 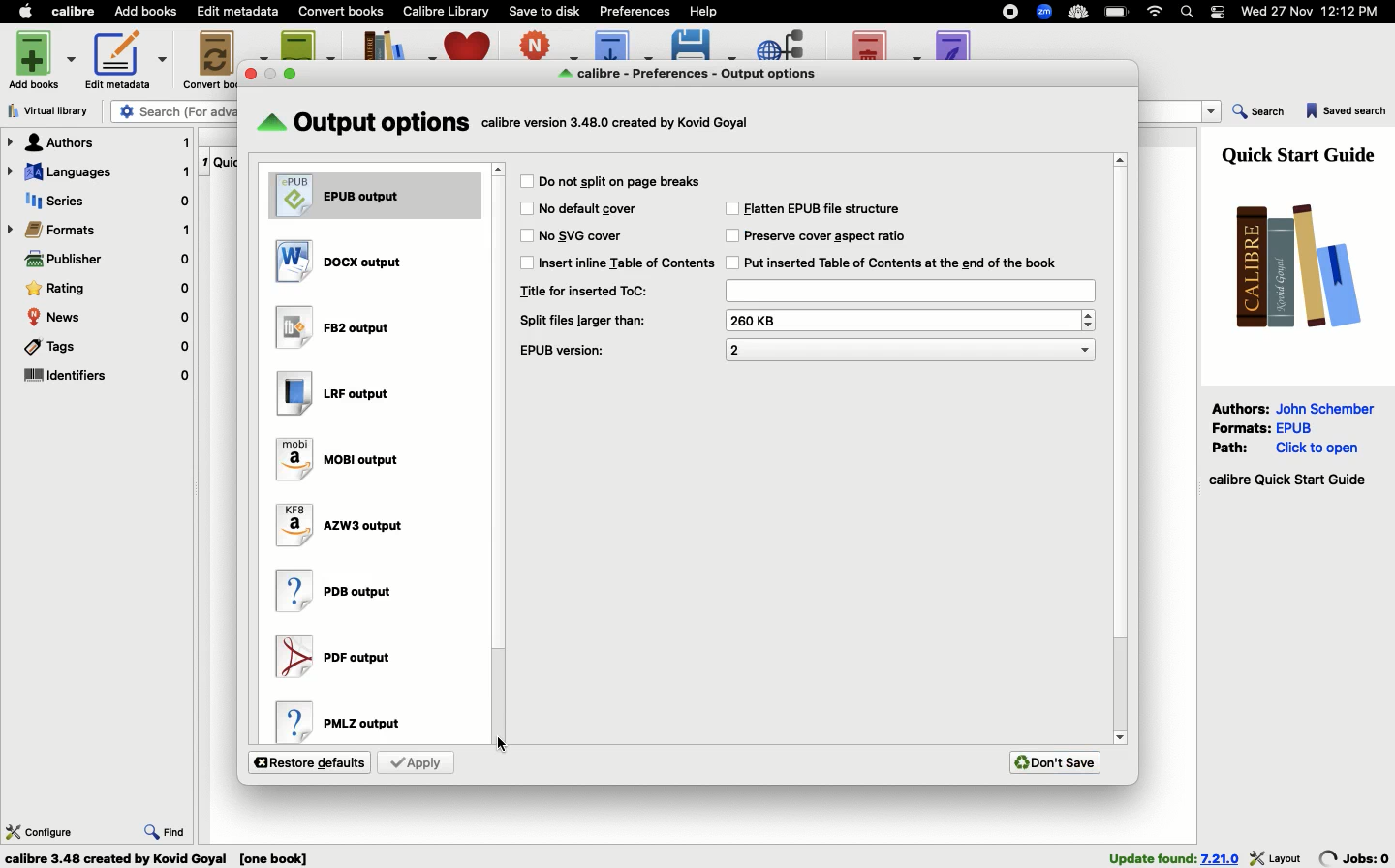 What do you see at coordinates (589, 208) in the screenshot?
I see `No default cover` at bounding box center [589, 208].